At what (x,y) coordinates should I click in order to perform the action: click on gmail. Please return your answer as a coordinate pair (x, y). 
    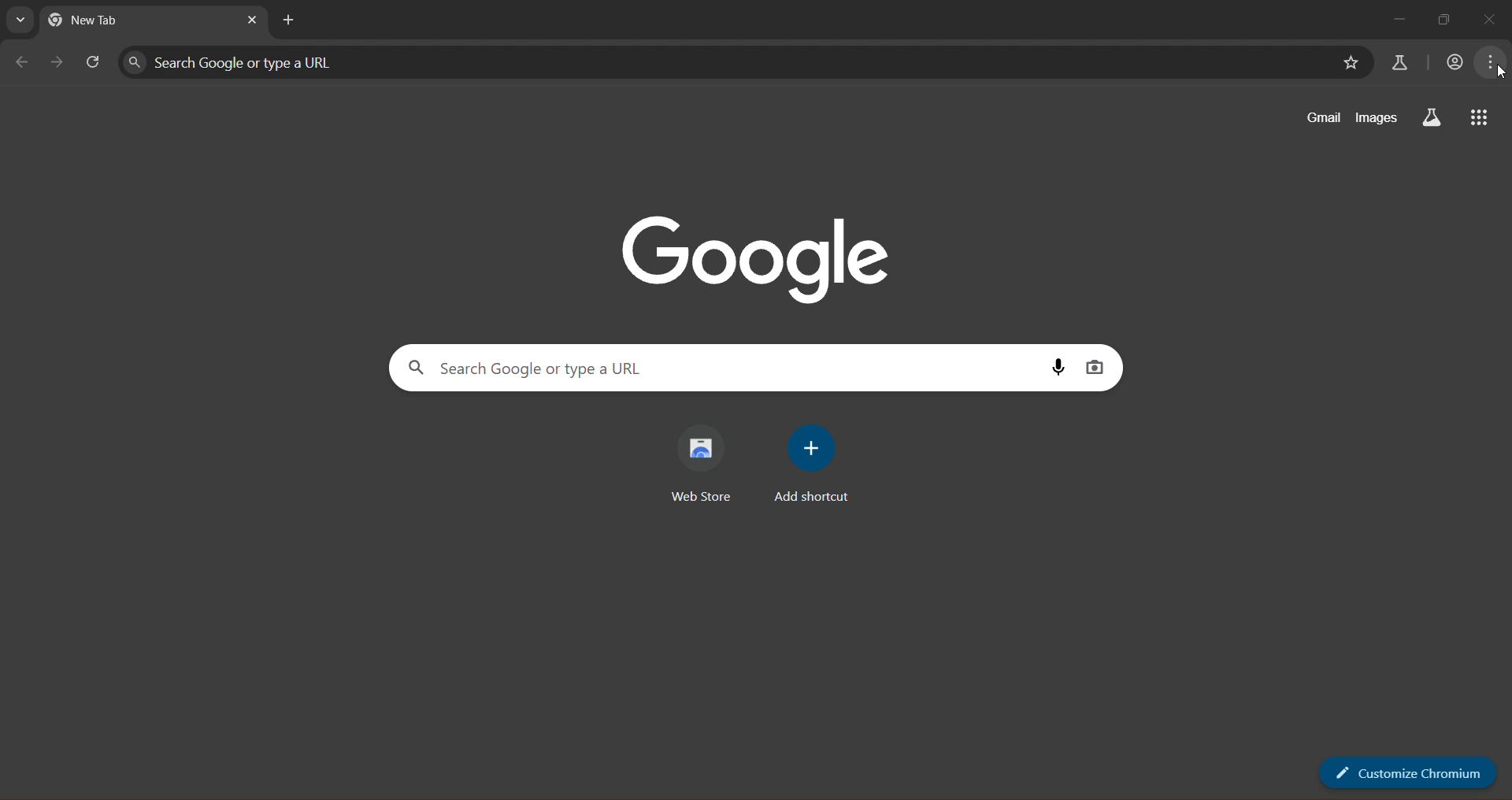
    Looking at the image, I should click on (1321, 120).